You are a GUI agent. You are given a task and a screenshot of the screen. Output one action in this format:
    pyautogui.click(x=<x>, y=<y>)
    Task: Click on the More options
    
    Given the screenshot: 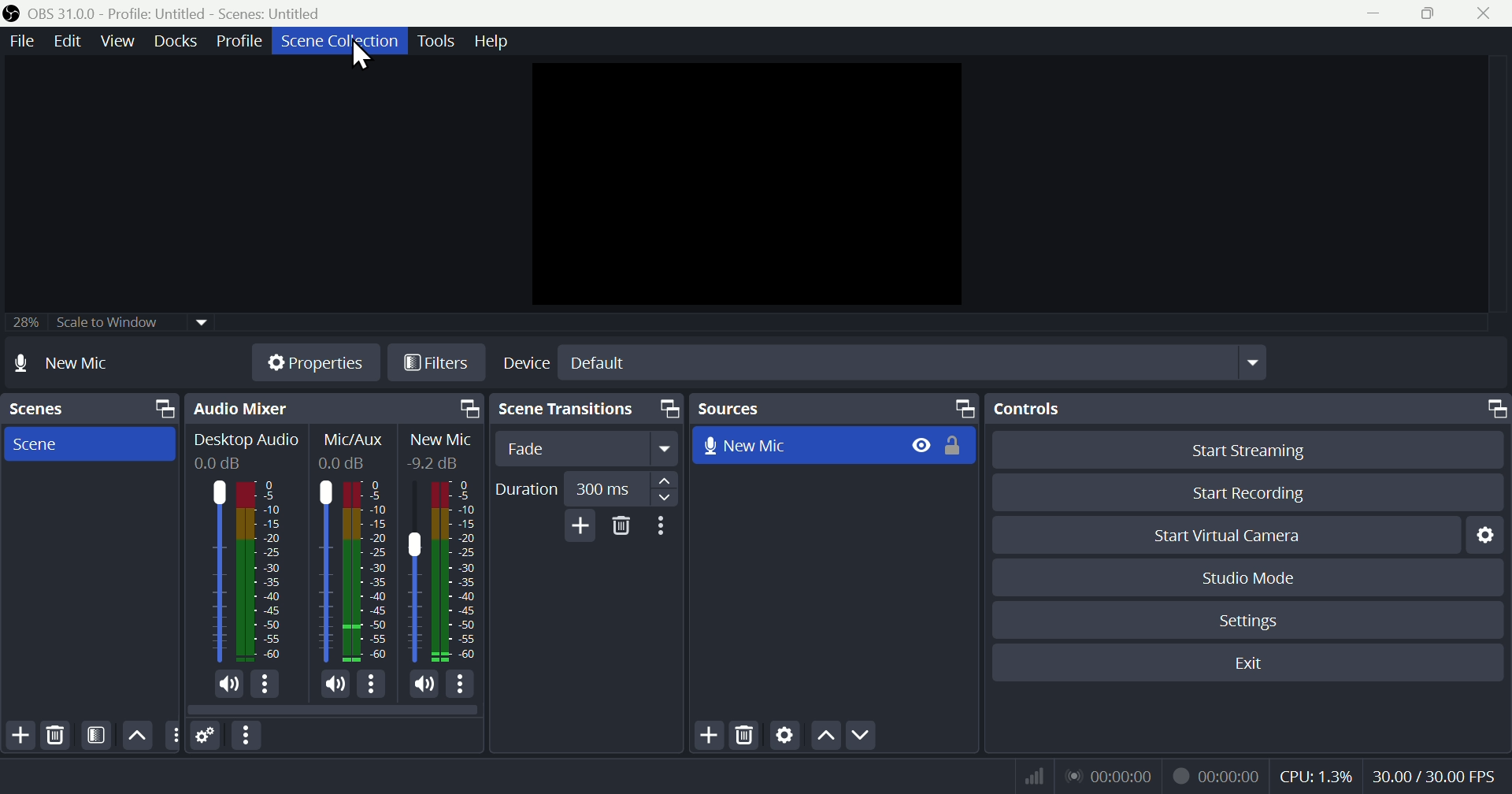 What is the action you would take?
    pyautogui.click(x=664, y=528)
    